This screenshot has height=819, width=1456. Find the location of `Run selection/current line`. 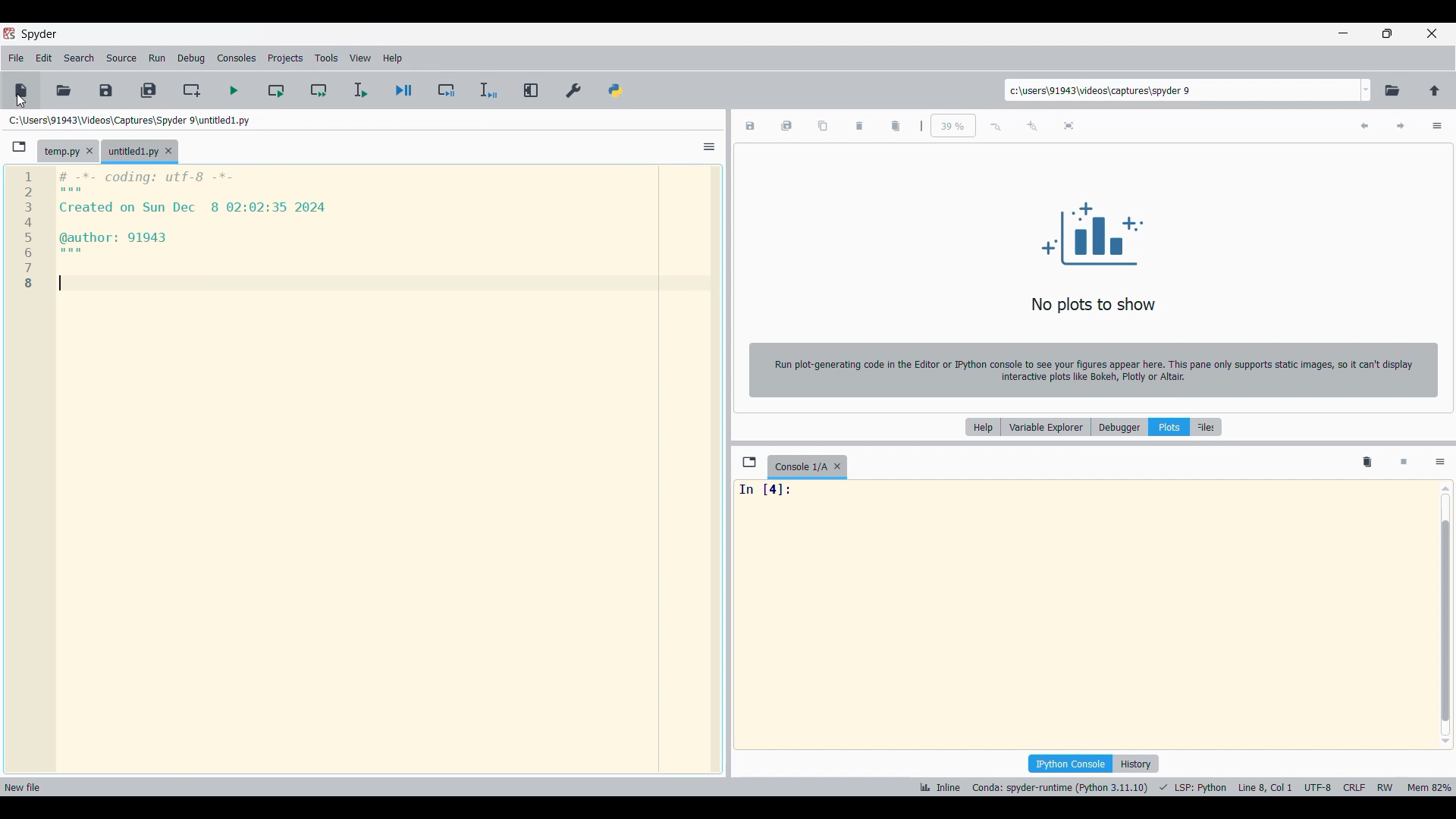

Run selection/current line is located at coordinates (360, 91).